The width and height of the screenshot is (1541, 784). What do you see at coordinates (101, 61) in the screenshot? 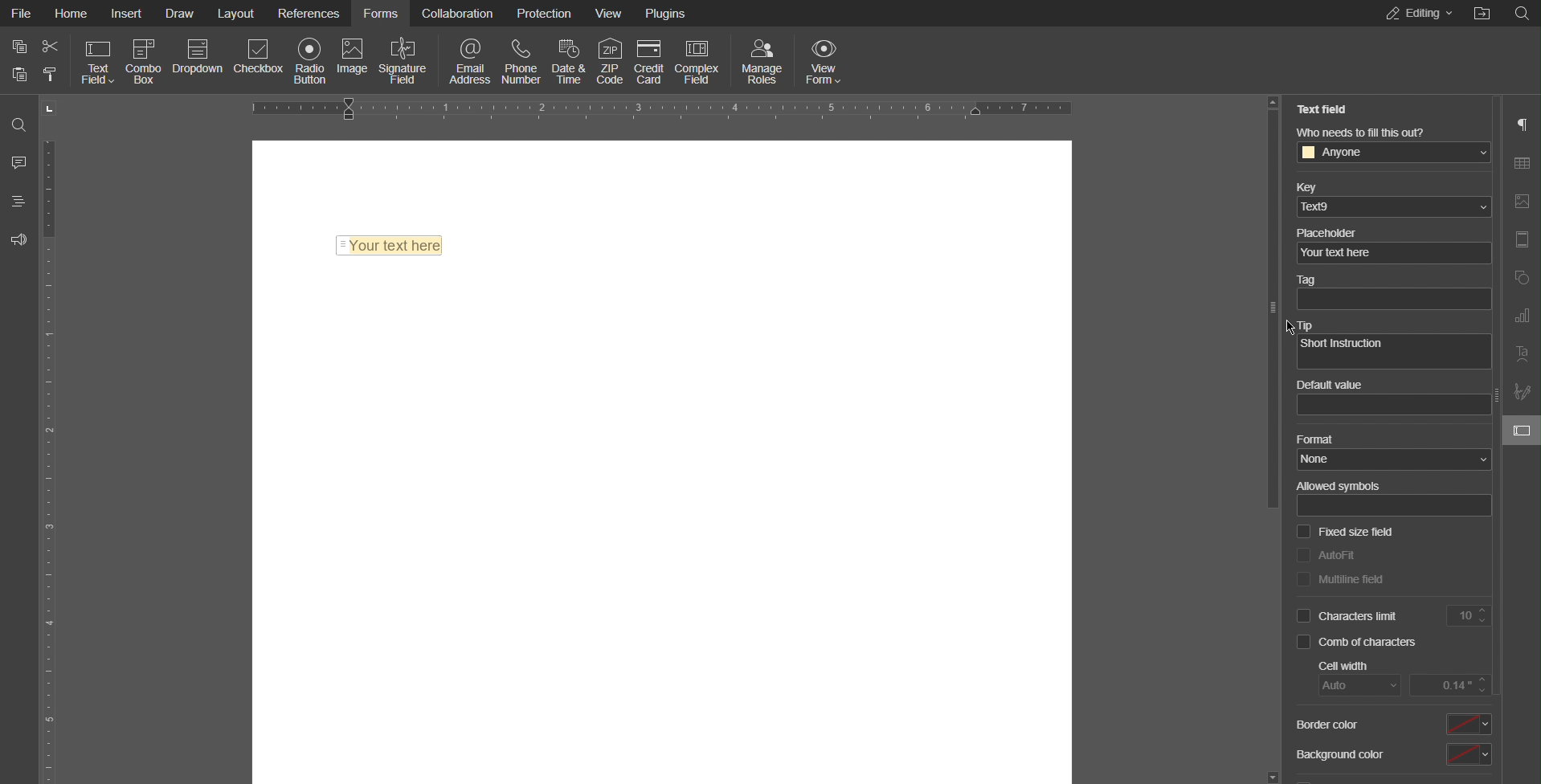
I see `Text Field` at bounding box center [101, 61].